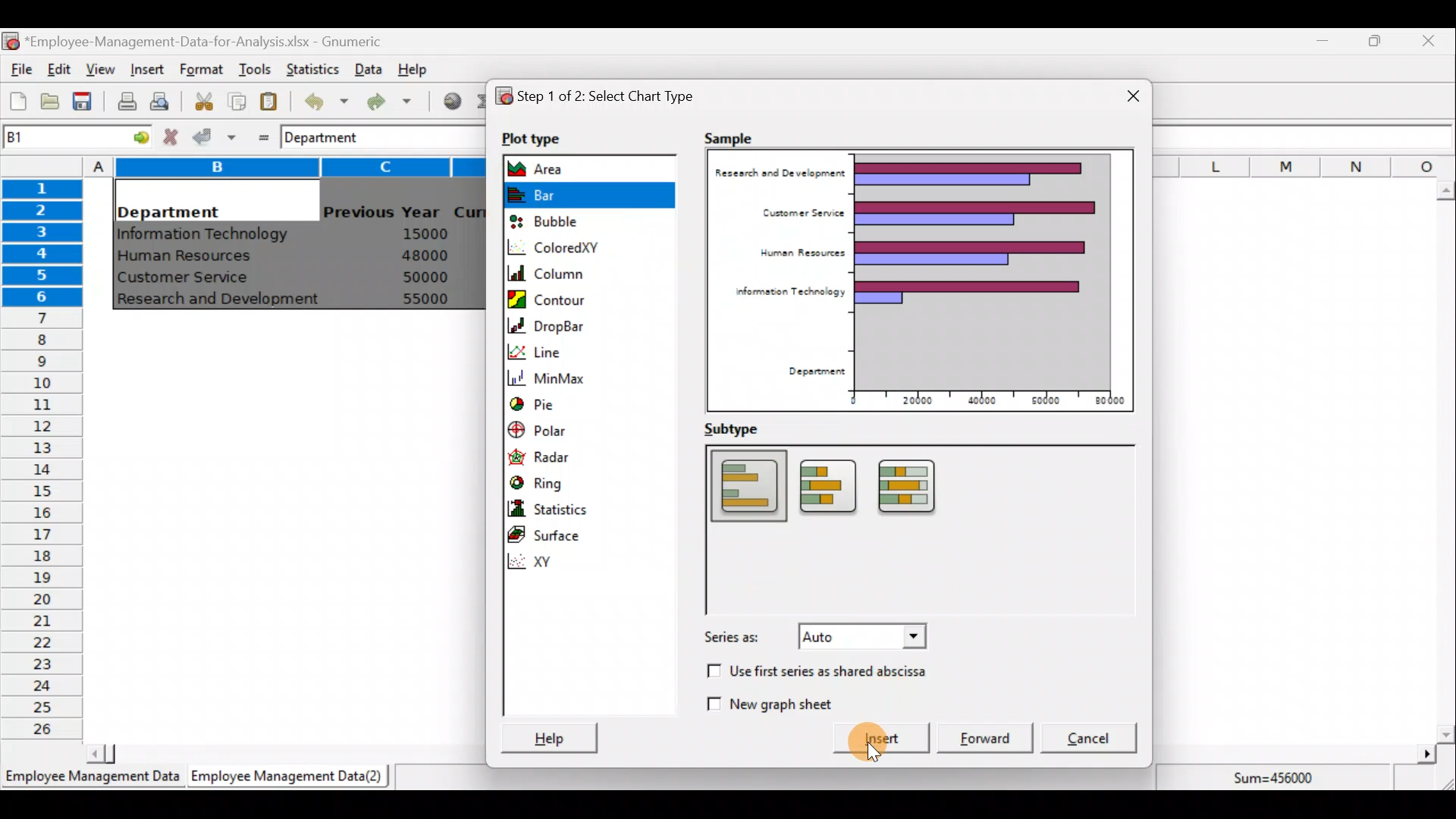  What do you see at coordinates (54, 103) in the screenshot?
I see `Open a file` at bounding box center [54, 103].